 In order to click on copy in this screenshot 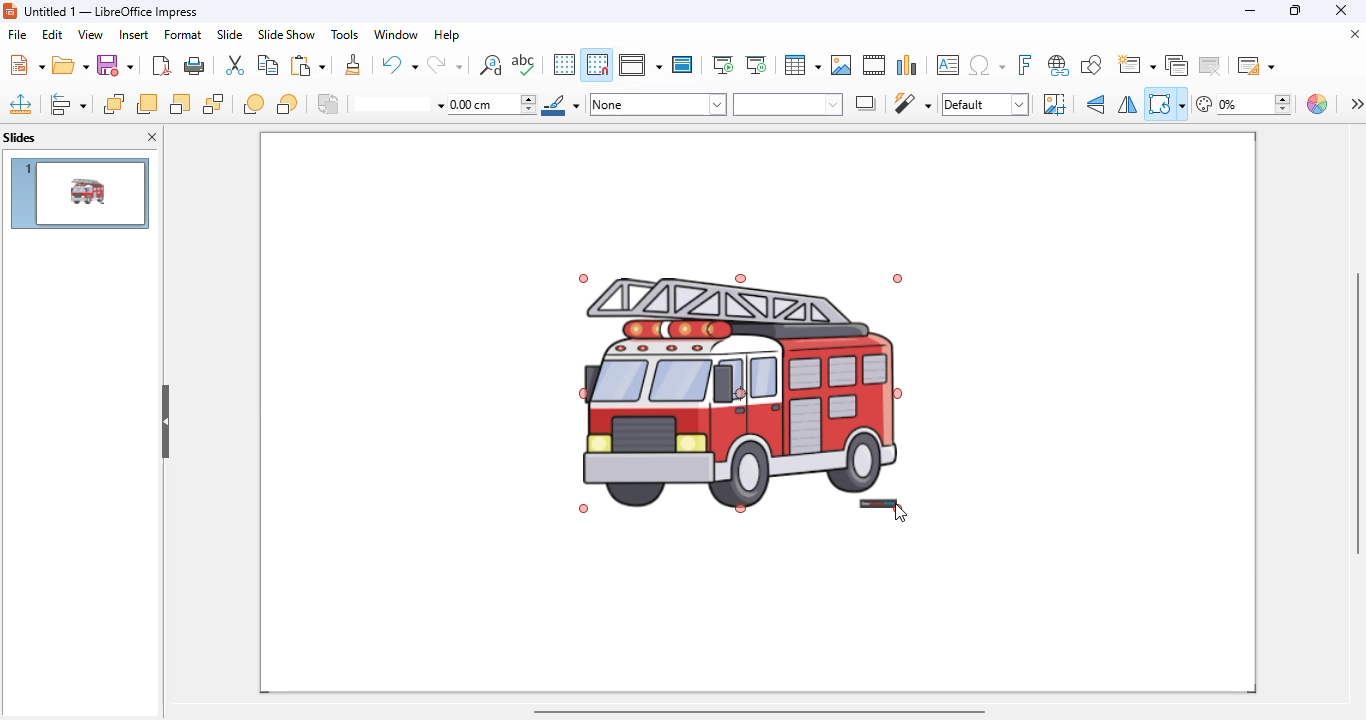, I will do `click(268, 65)`.